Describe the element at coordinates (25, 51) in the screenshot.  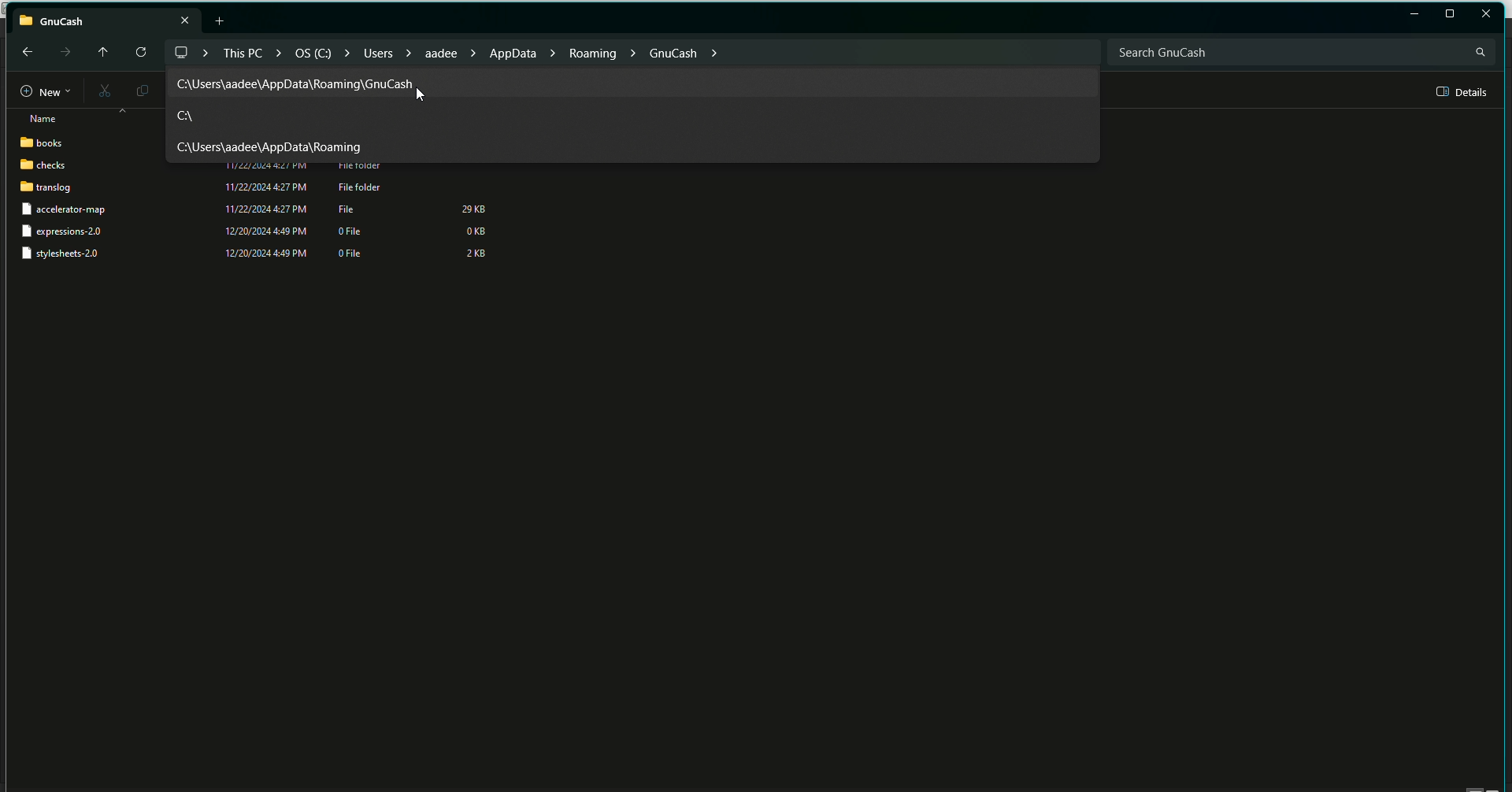
I see `back` at that location.